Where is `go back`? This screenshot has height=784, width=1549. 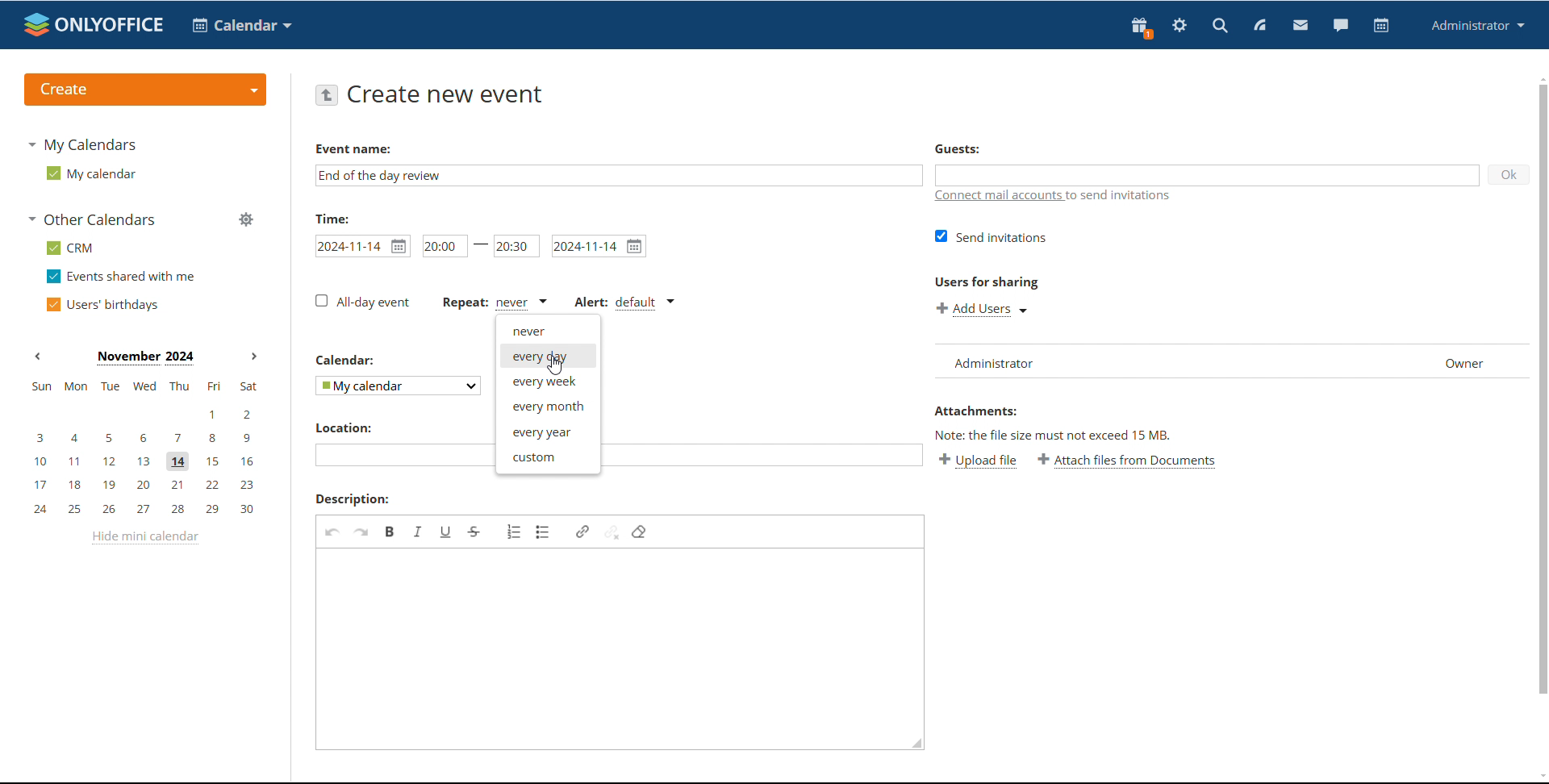
go back is located at coordinates (326, 94).